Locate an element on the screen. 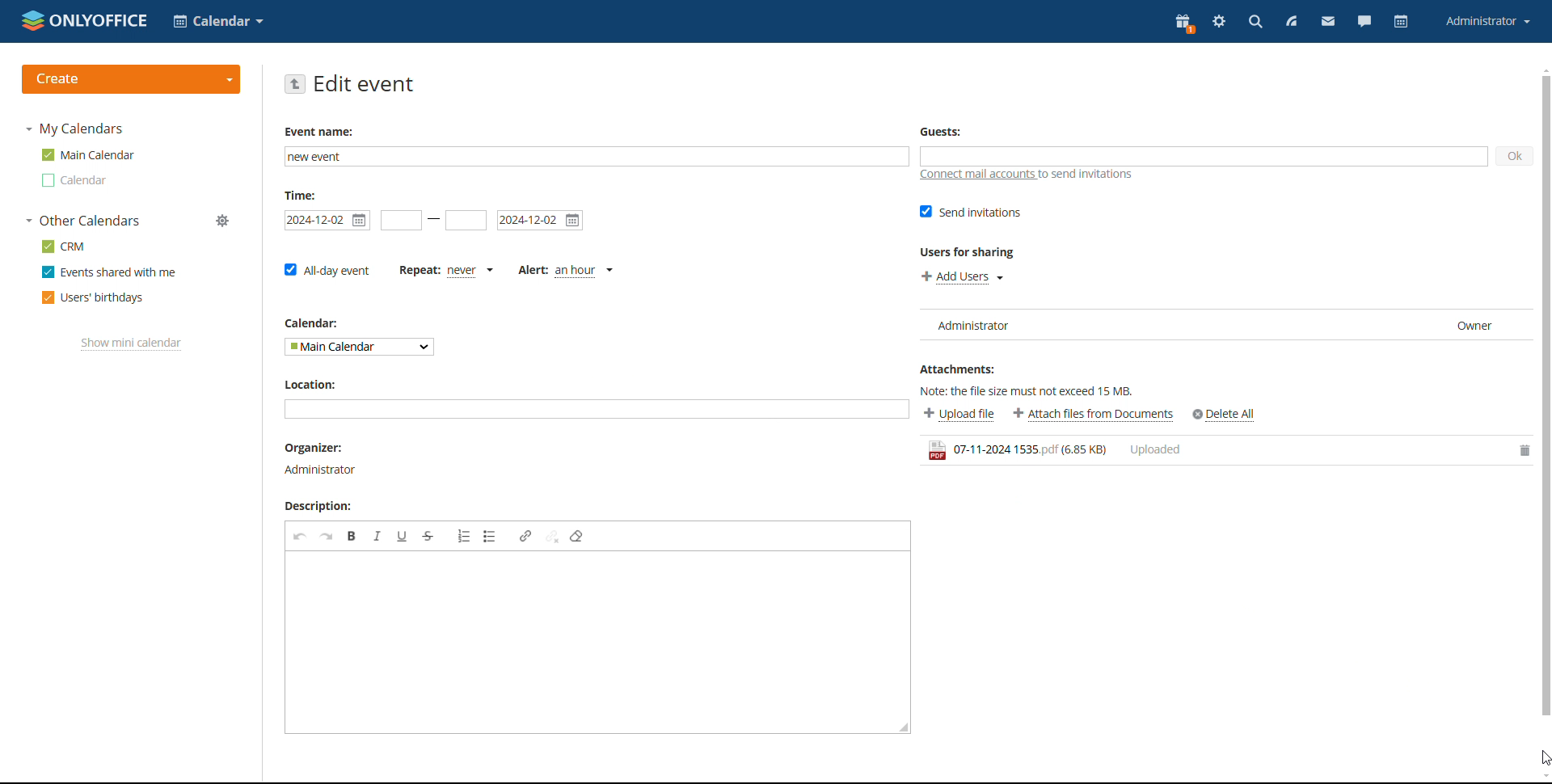 The width and height of the screenshot is (1552, 784). Guests is located at coordinates (943, 131).